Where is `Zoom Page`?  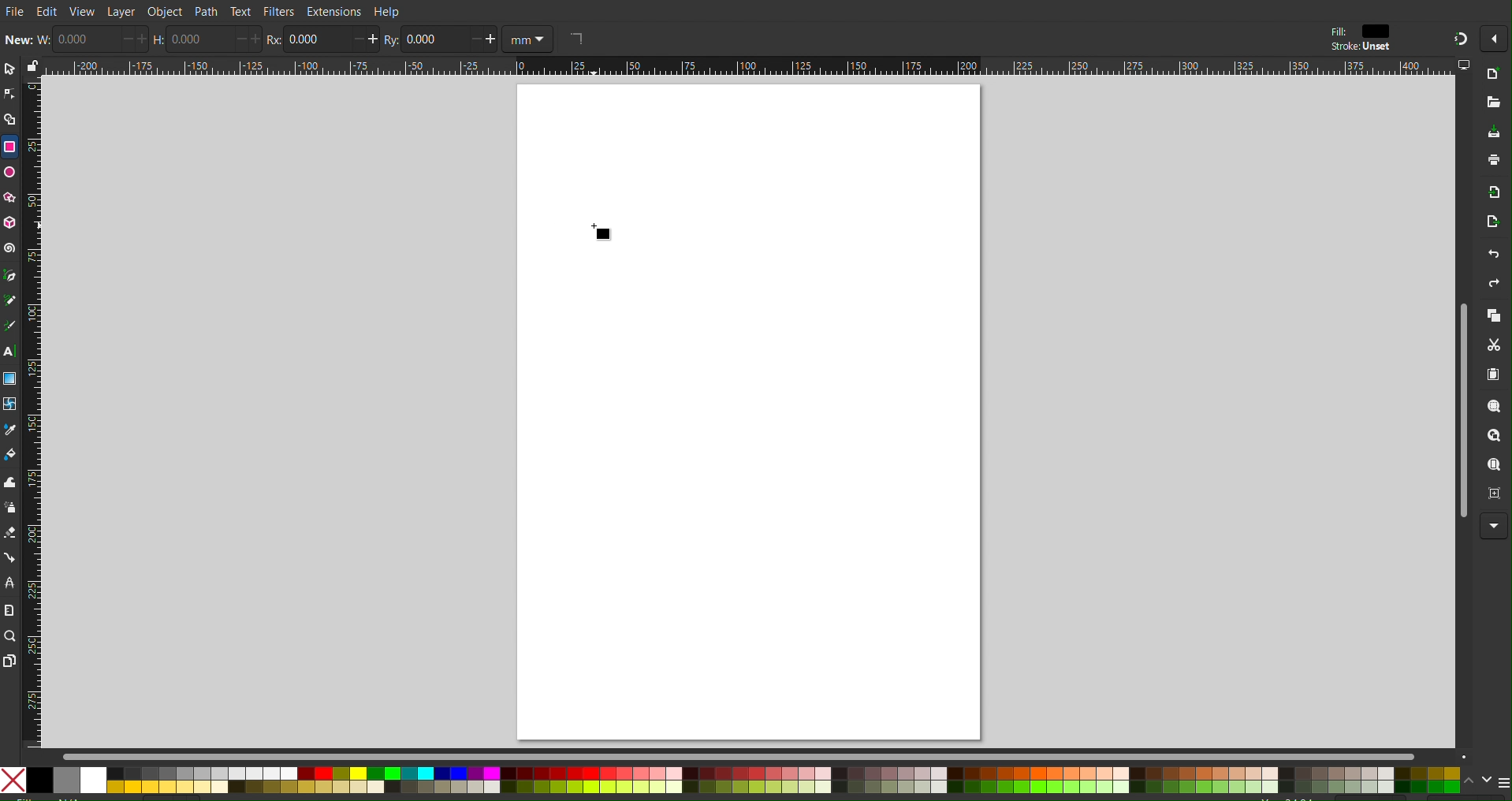
Zoom Page is located at coordinates (1495, 467).